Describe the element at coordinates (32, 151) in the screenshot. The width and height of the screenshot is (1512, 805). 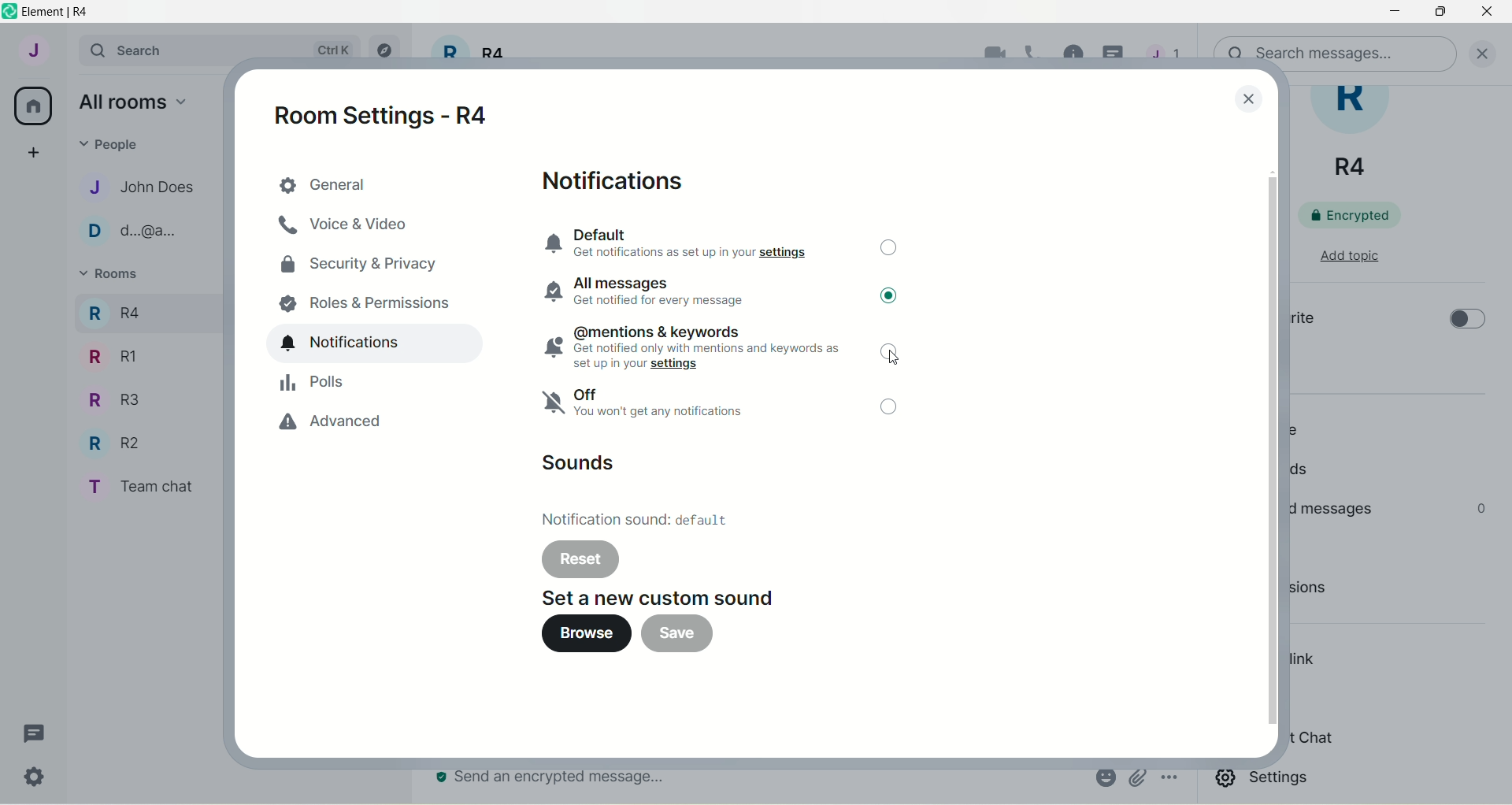
I see `create a space` at that location.